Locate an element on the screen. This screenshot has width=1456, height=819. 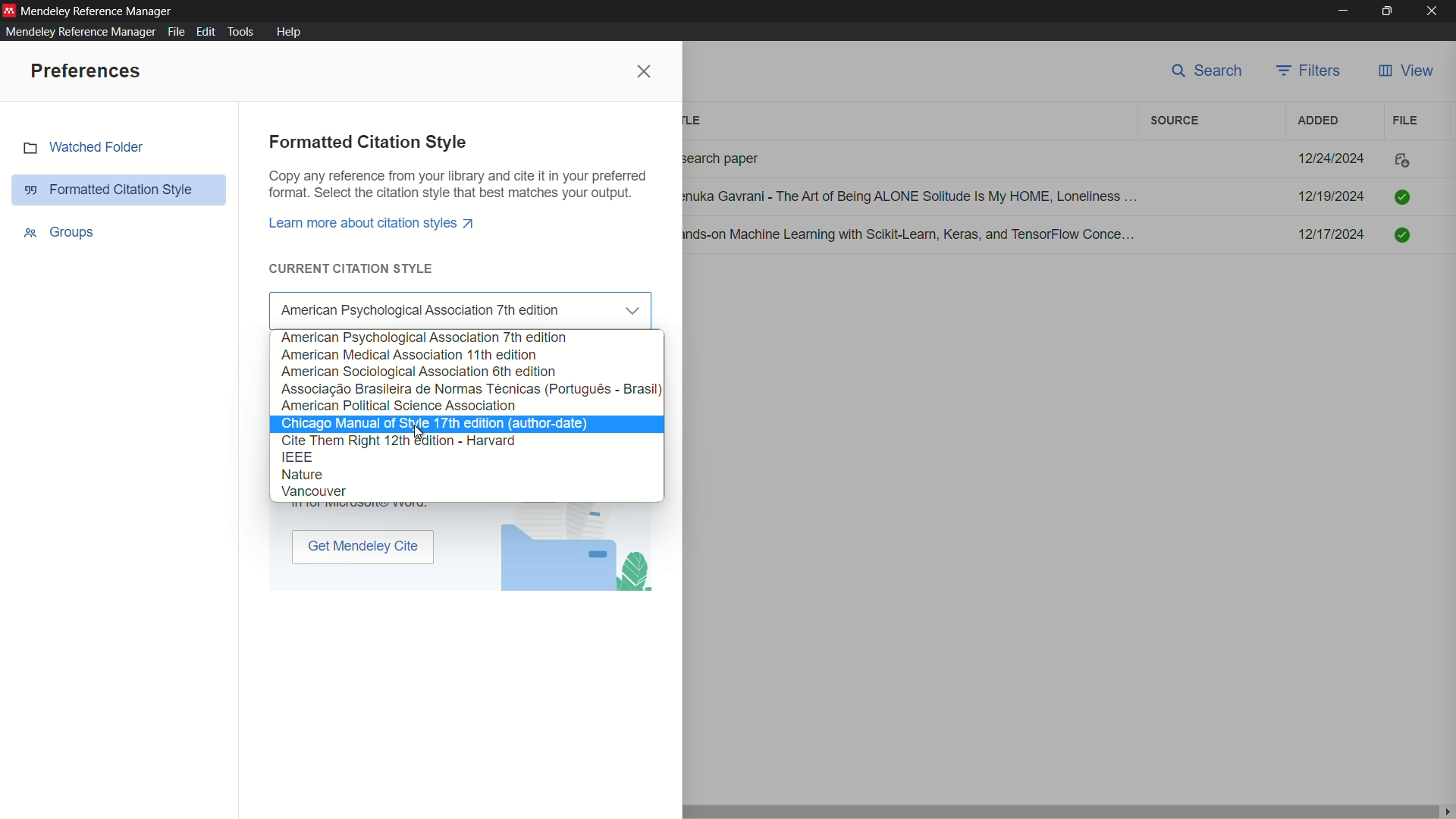
citation styles is located at coordinates (409, 352).